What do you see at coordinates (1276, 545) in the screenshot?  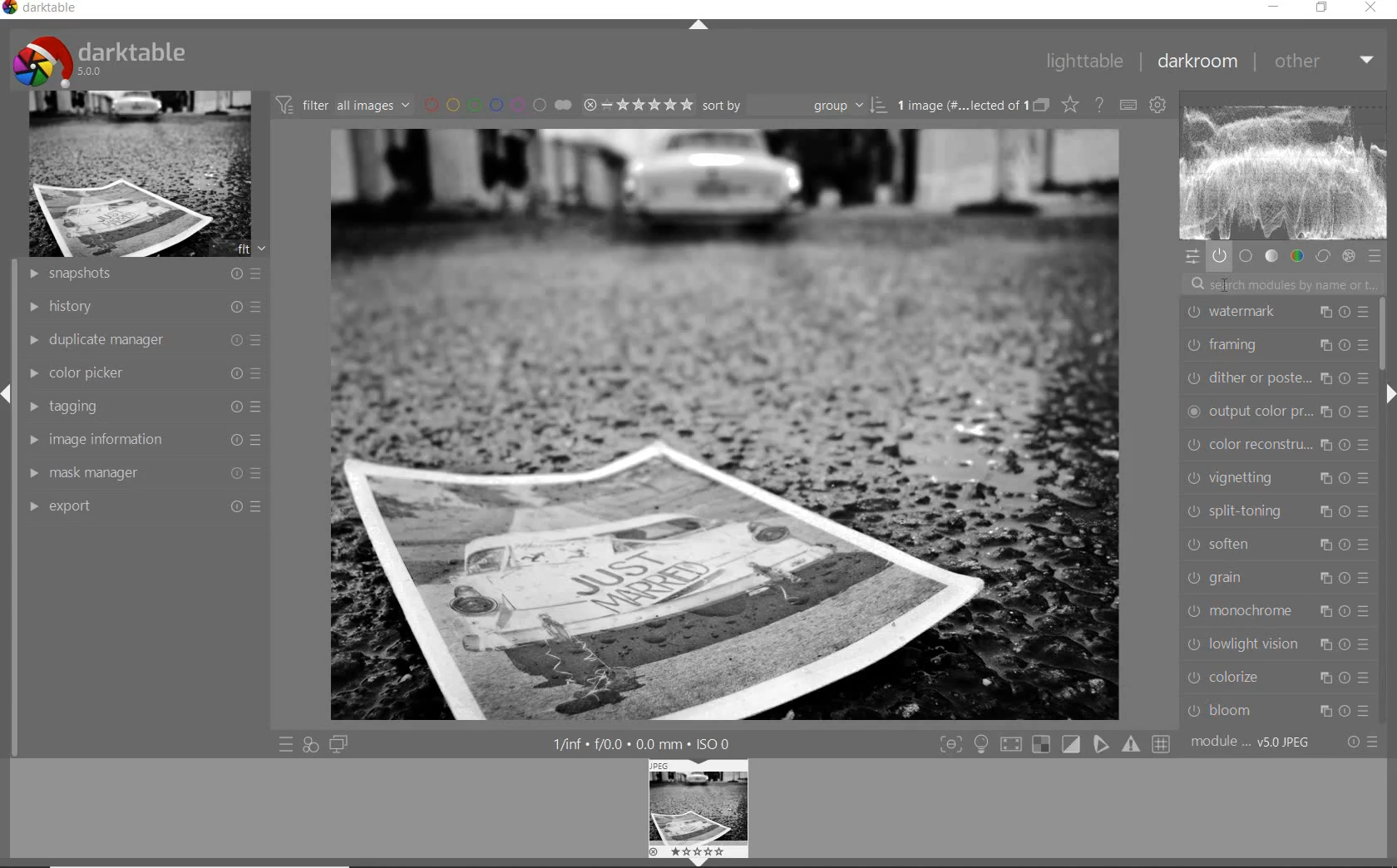 I see `soften` at bounding box center [1276, 545].